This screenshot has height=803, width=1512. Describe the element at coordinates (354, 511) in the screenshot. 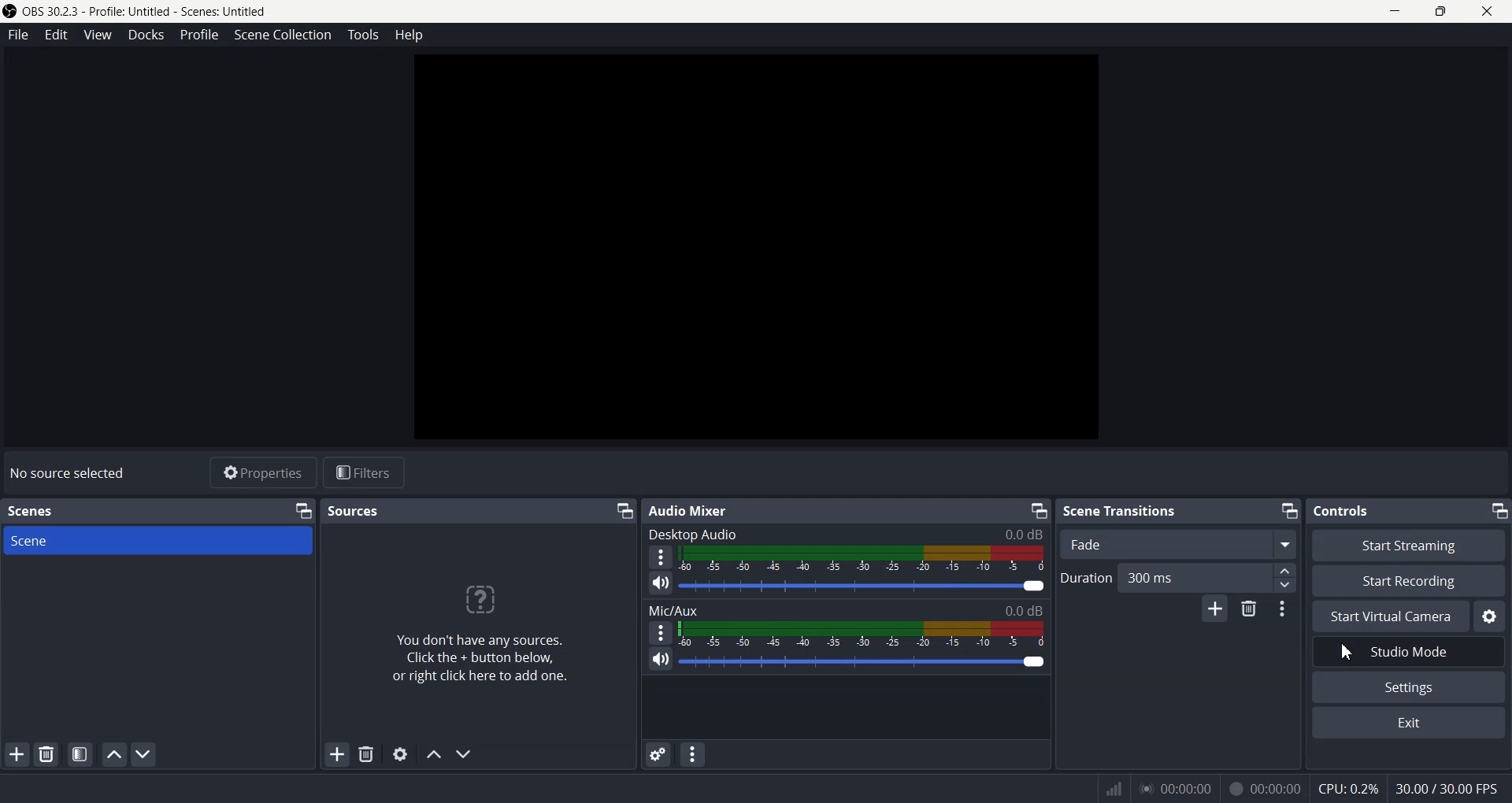

I see `Sources ` at that location.